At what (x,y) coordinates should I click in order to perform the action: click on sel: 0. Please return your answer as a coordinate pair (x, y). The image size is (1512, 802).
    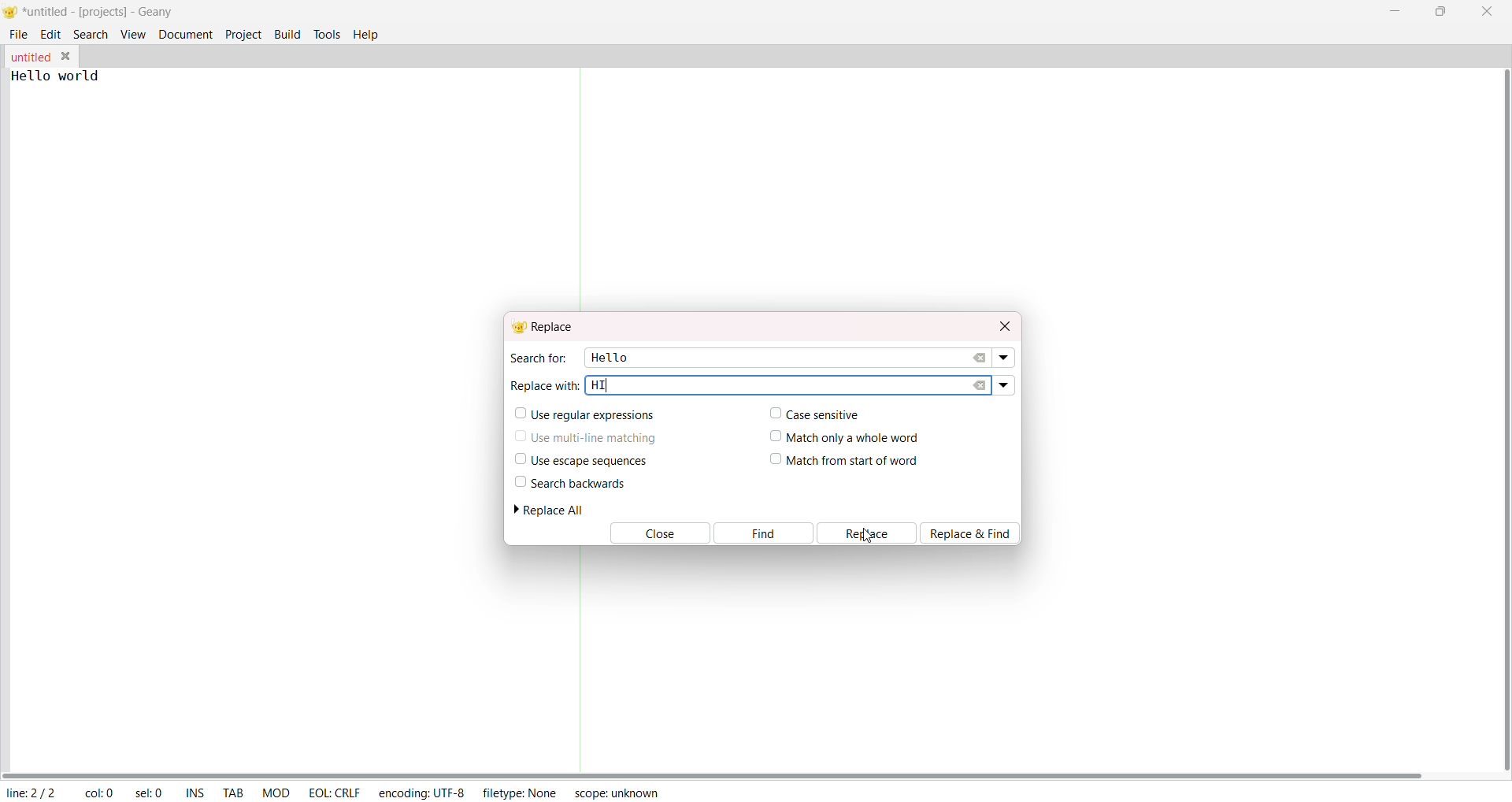
    Looking at the image, I should click on (150, 793).